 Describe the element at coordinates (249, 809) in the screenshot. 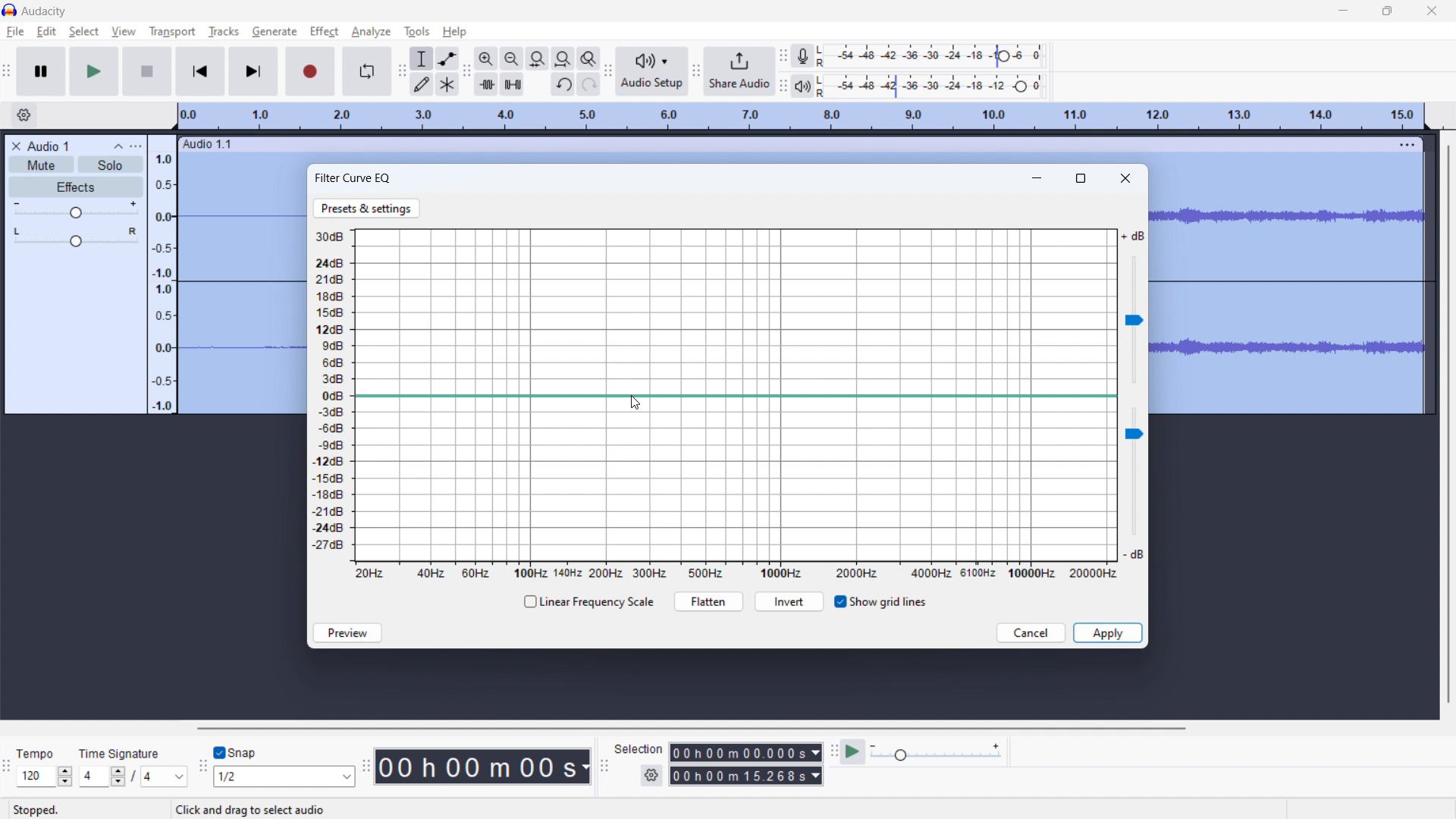

I see `Click and drag to select audio` at that location.